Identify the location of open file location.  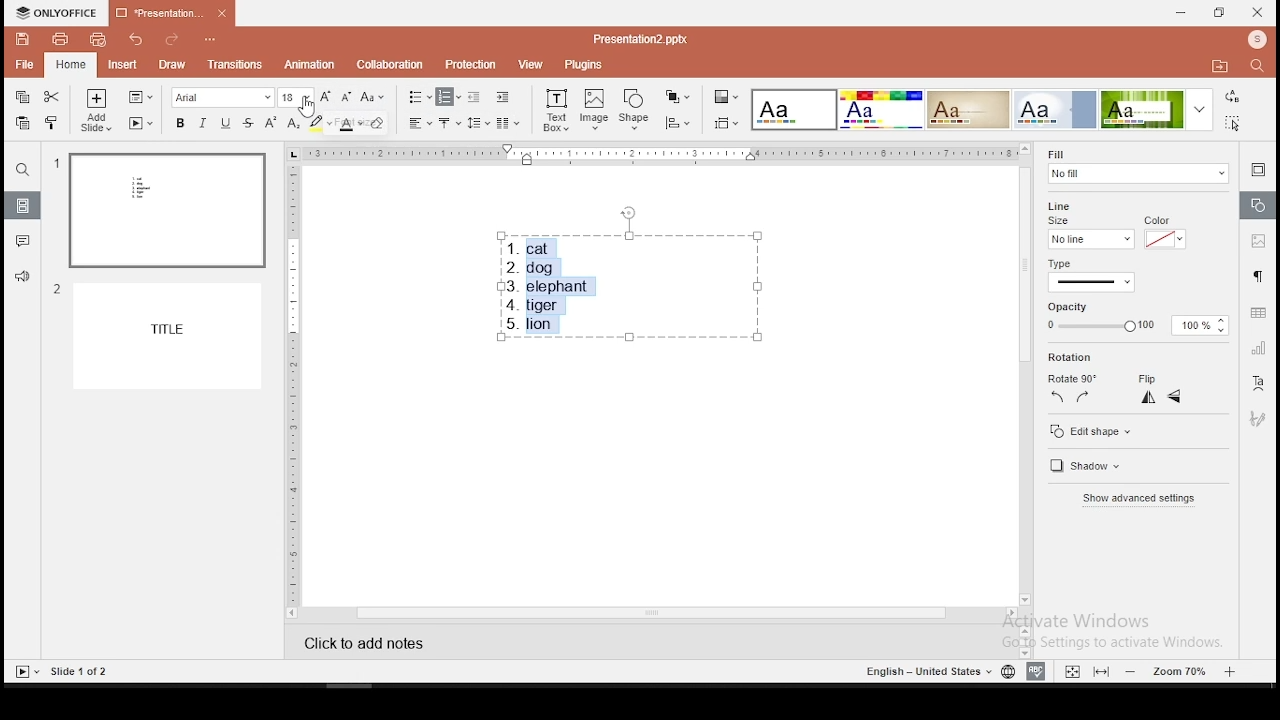
(1217, 66).